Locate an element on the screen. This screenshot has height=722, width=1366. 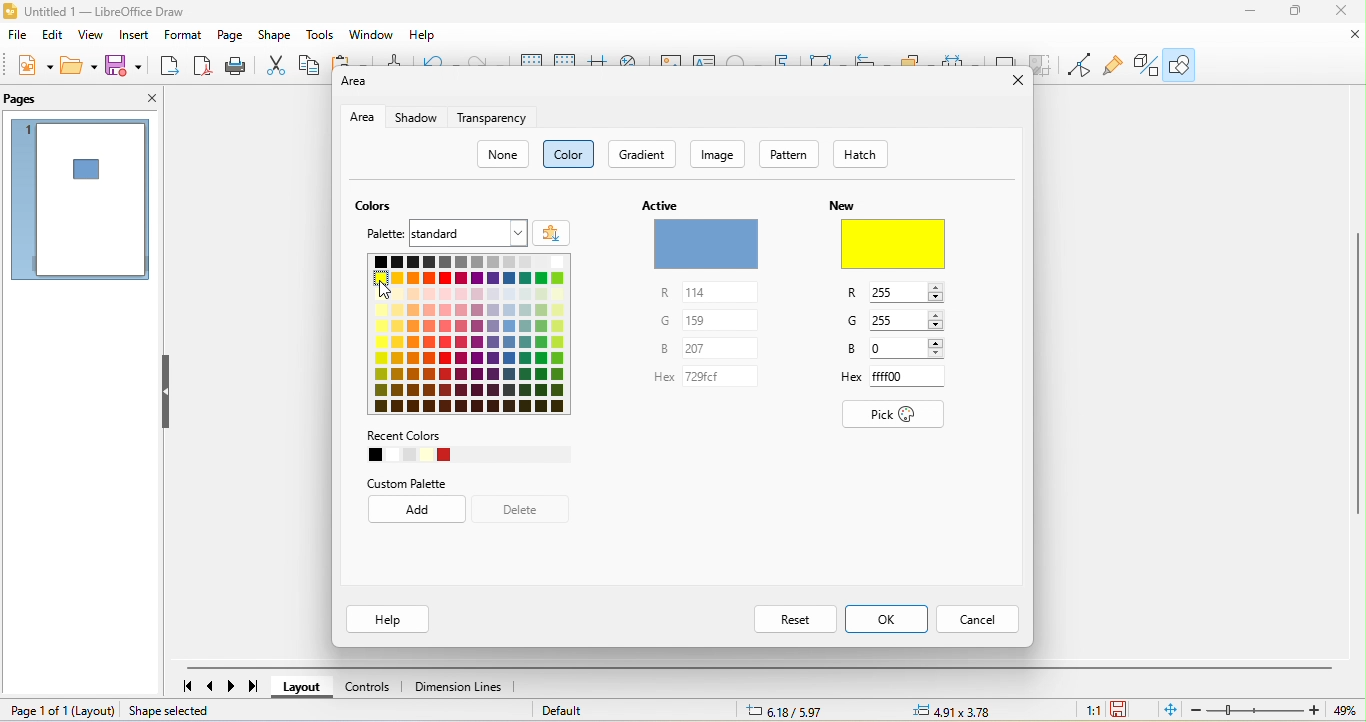
layout is located at coordinates (94, 711).